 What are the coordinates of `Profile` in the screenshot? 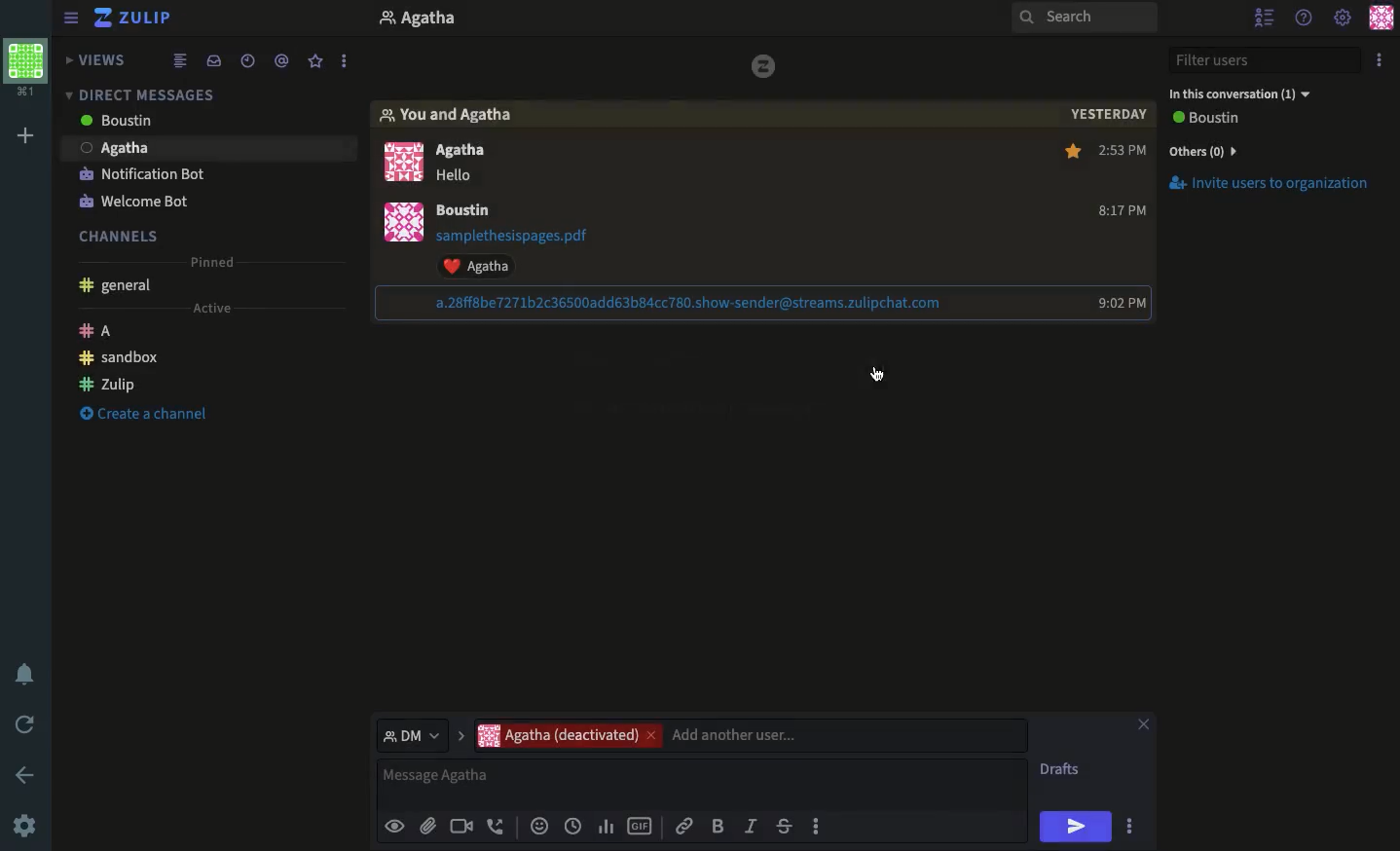 It's located at (1383, 17).